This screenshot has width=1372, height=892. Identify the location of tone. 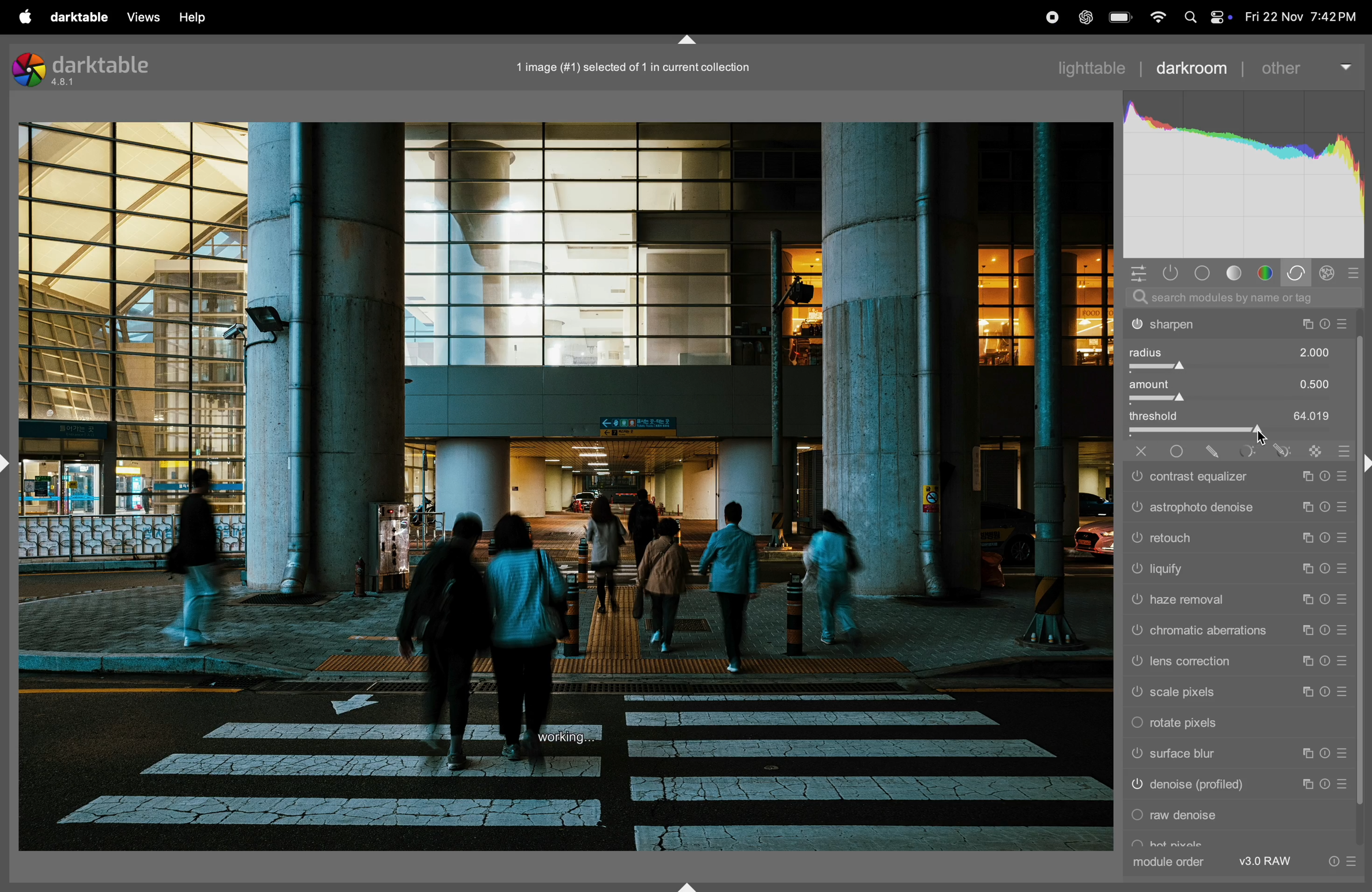
(1237, 273).